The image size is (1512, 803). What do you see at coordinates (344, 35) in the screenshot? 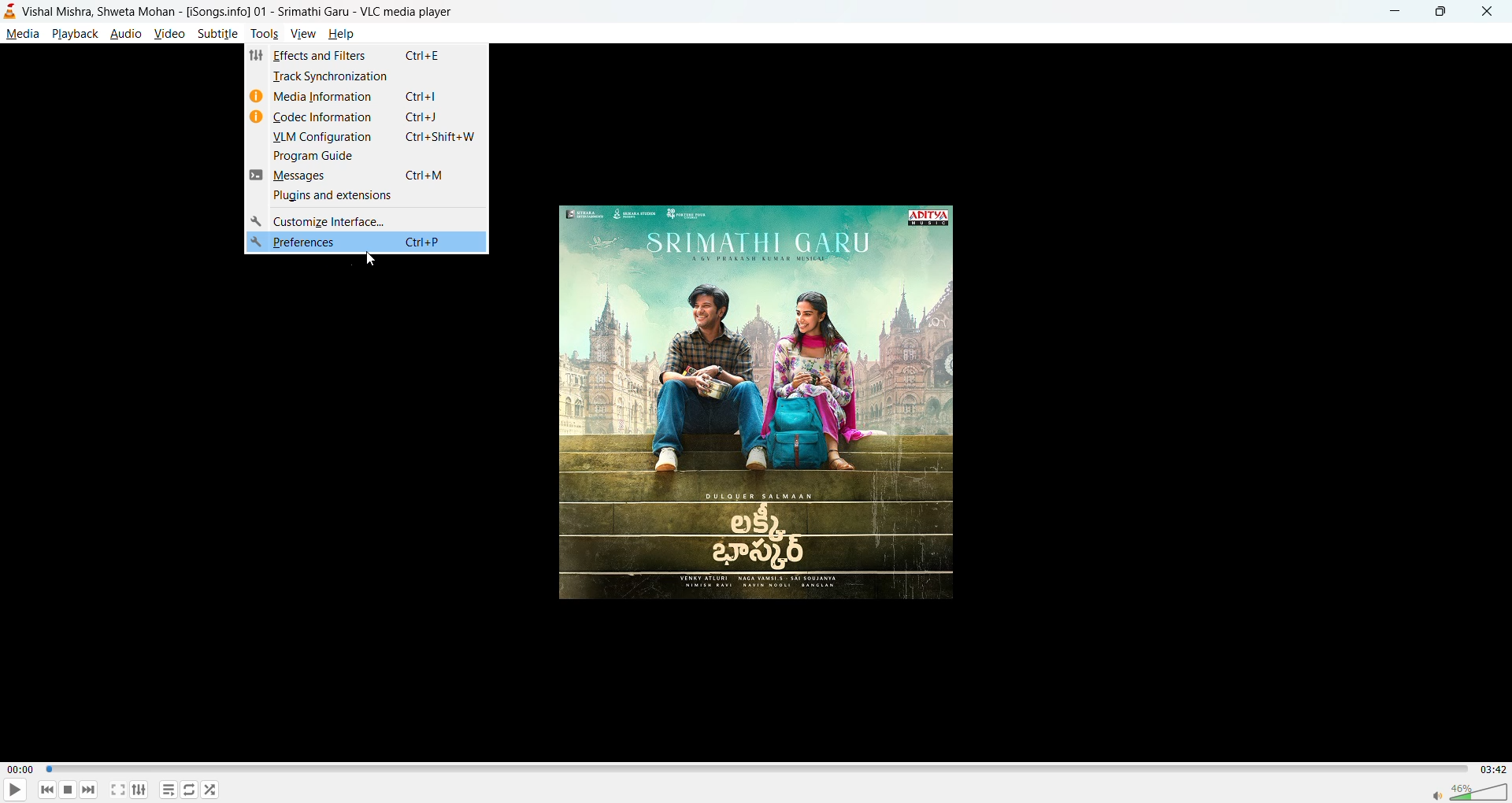
I see `help` at bounding box center [344, 35].